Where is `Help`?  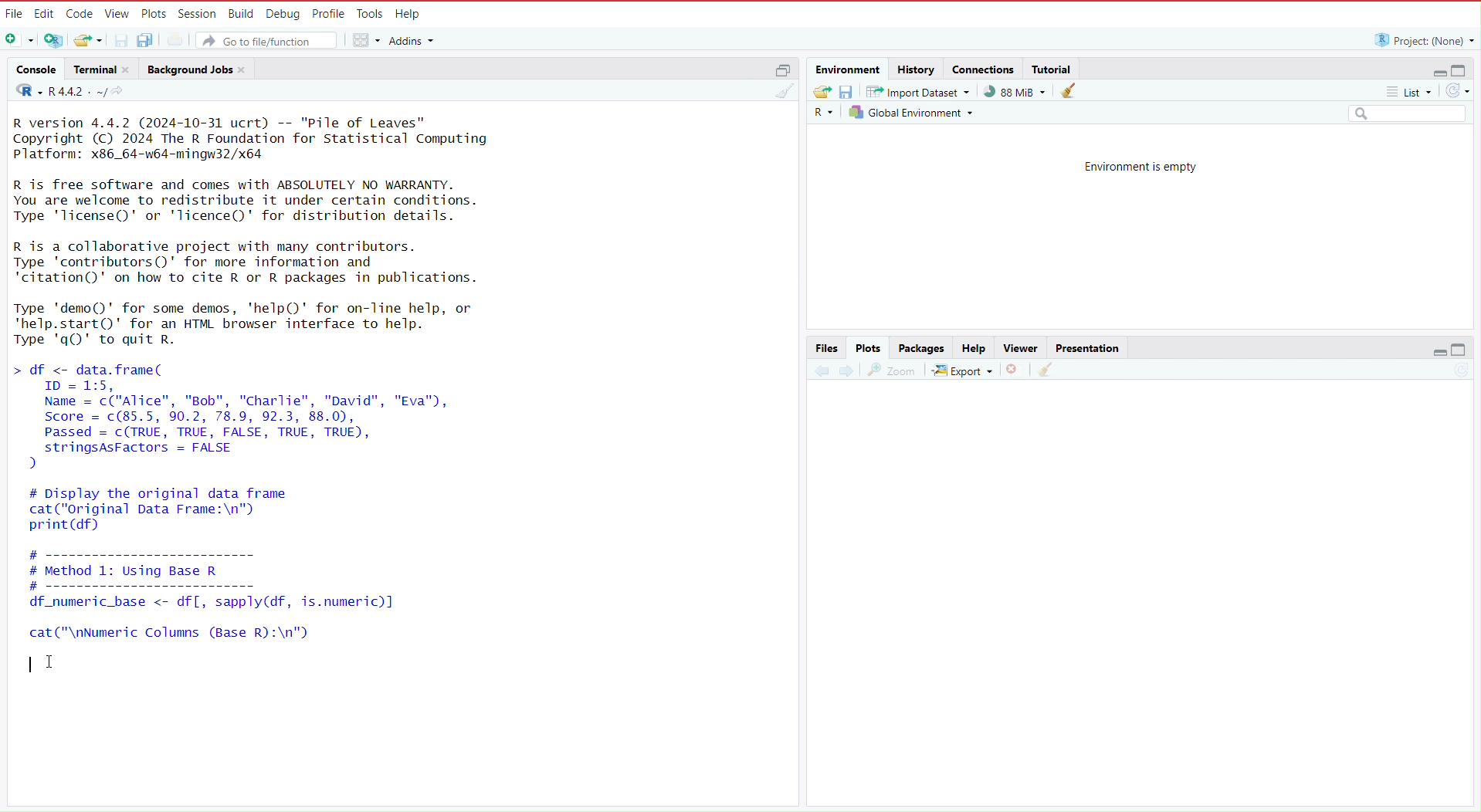
Help is located at coordinates (973, 347).